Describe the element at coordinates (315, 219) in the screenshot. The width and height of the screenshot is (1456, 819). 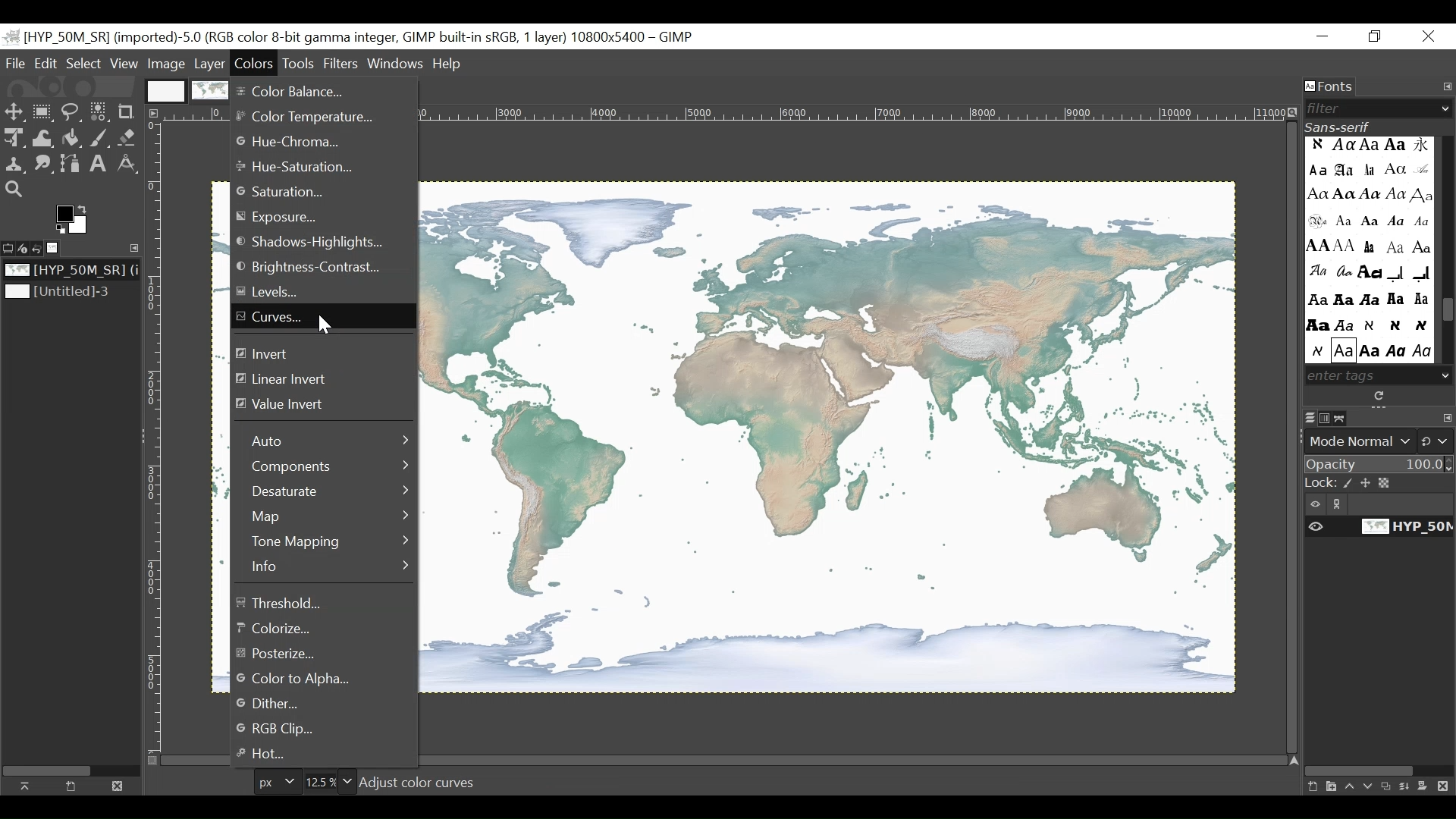
I see `Exposure` at that location.